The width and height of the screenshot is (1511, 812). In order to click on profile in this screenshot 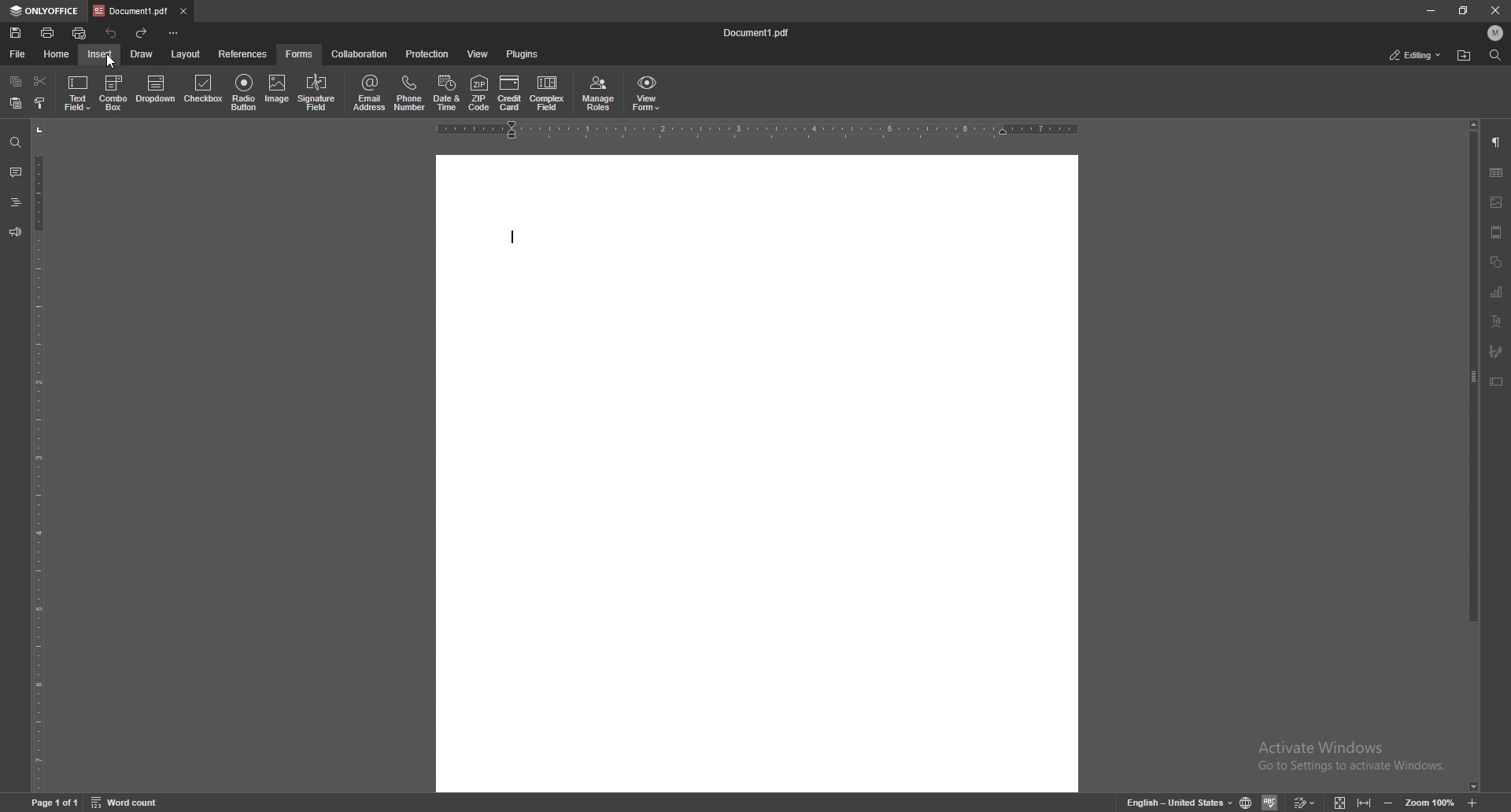, I will do `click(1496, 32)`.